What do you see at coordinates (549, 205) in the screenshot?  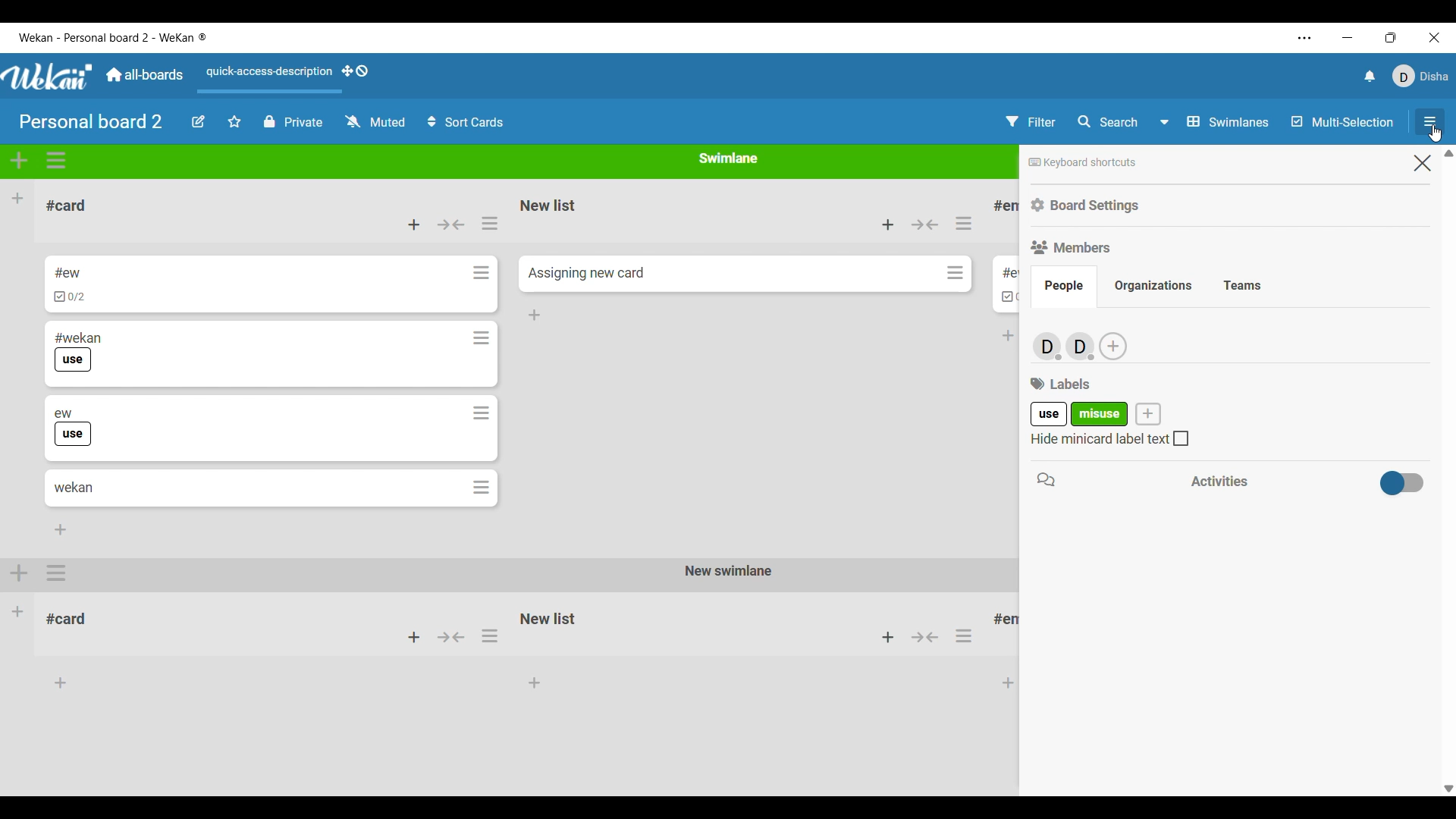 I see `List title` at bounding box center [549, 205].